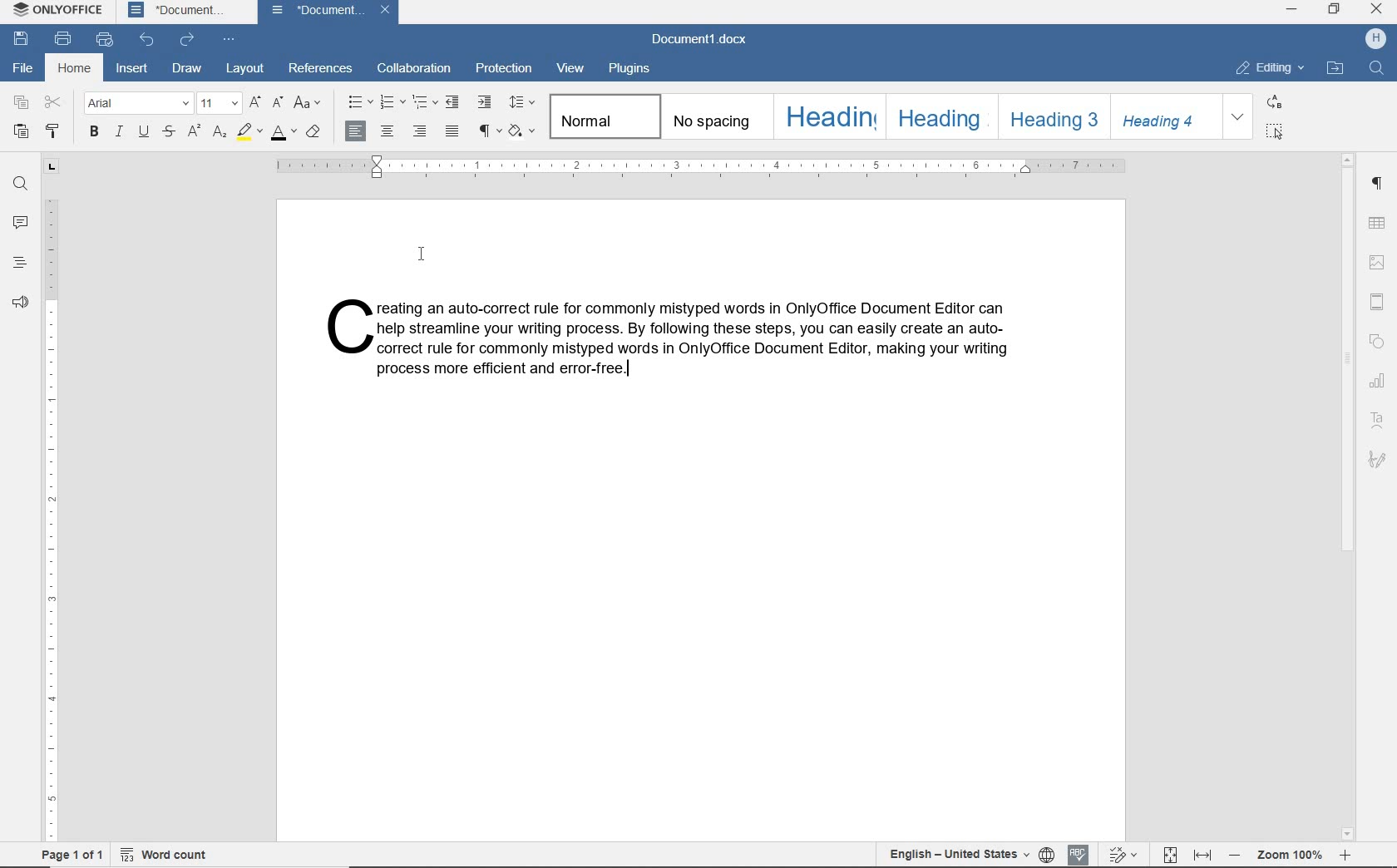 This screenshot has height=868, width=1397. I want to click on SHADING, so click(524, 132).